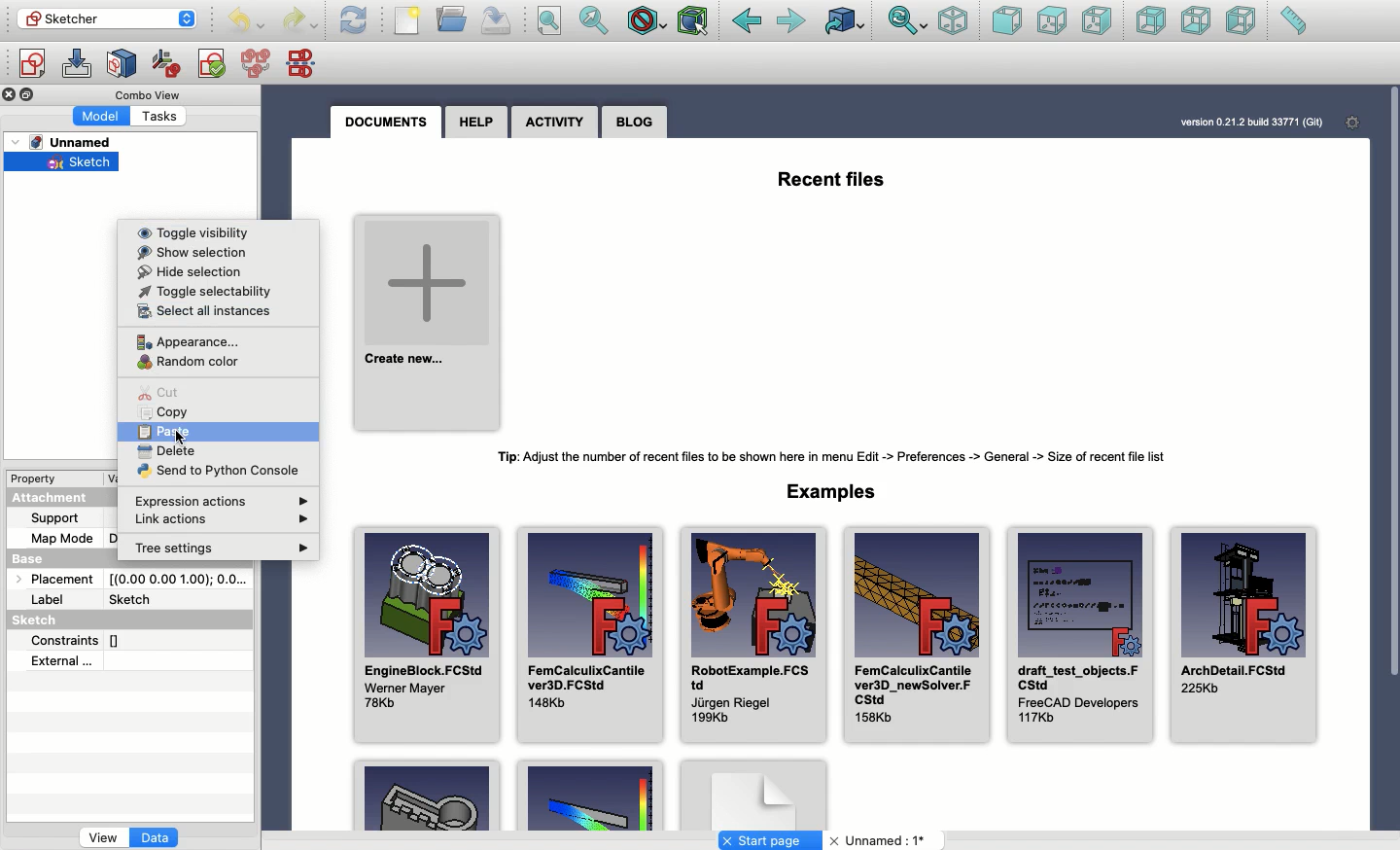 The height and width of the screenshot is (850, 1400). I want to click on Blog, so click(636, 122).